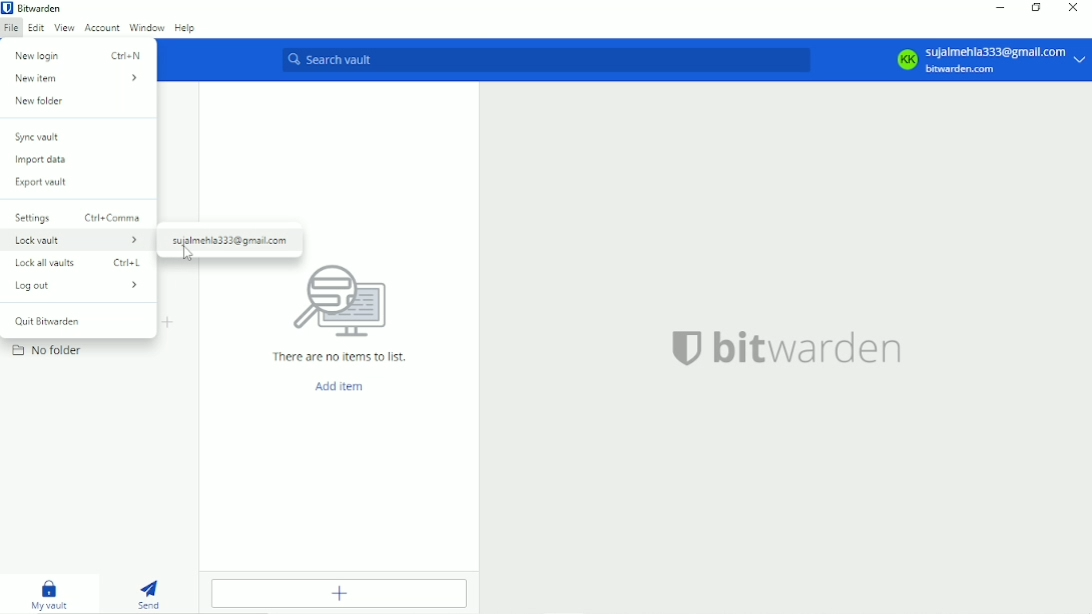  I want to click on Log out, so click(79, 286).